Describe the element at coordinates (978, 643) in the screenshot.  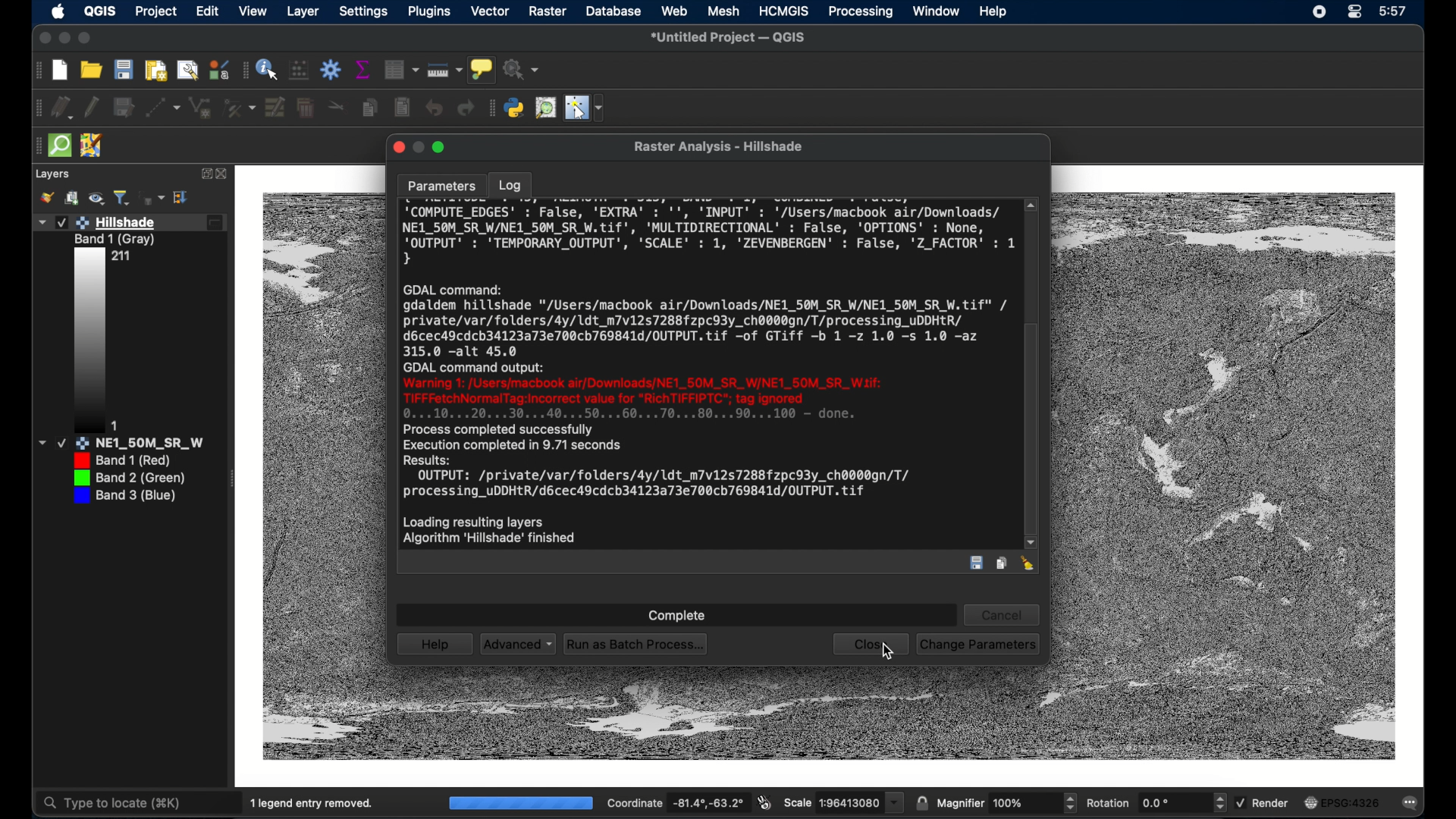
I see `change  parameters` at that location.